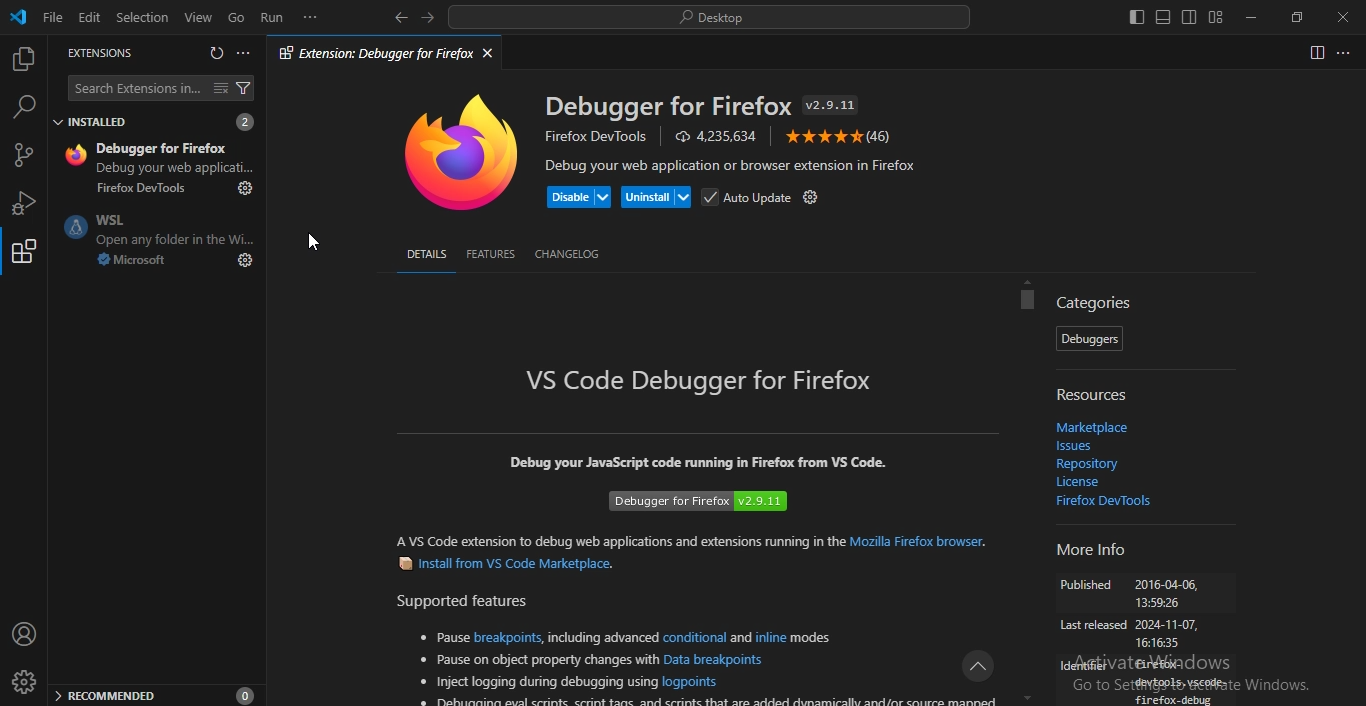  I want to click on v2.9.11, so click(833, 104).